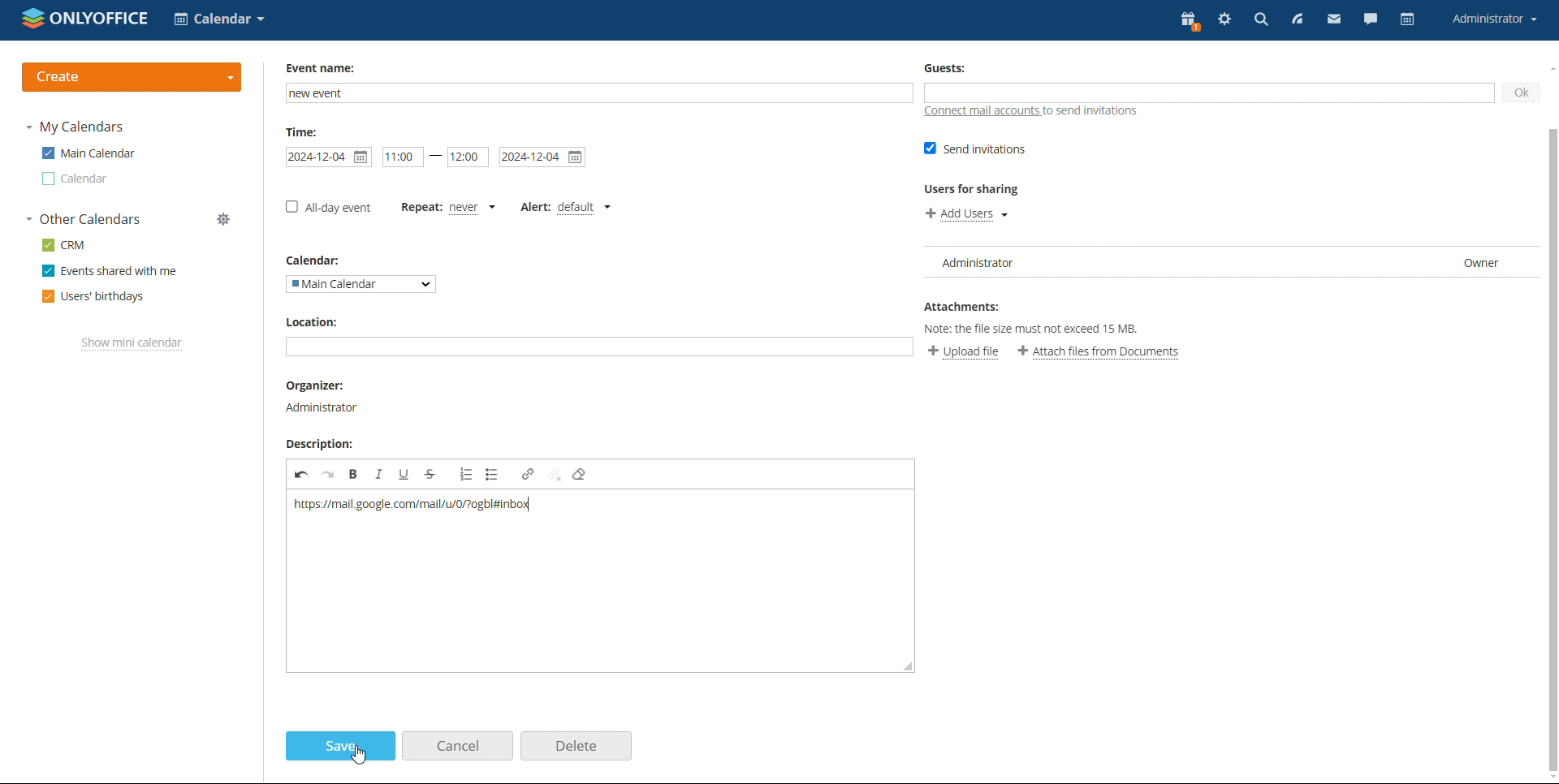  What do you see at coordinates (972, 187) in the screenshot?
I see `Users for sharing` at bounding box center [972, 187].